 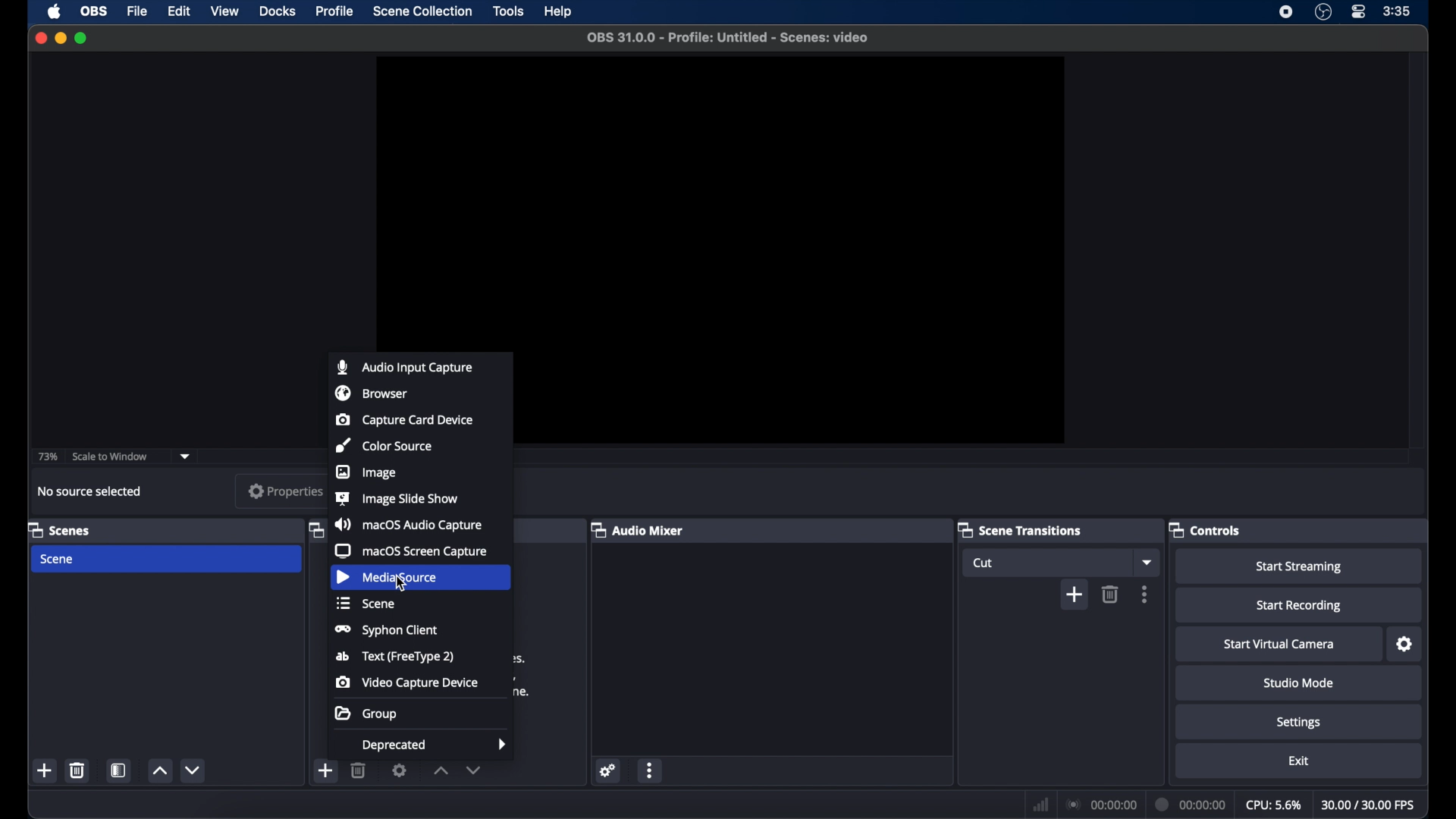 I want to click on settings, so click(x=400, y=770).